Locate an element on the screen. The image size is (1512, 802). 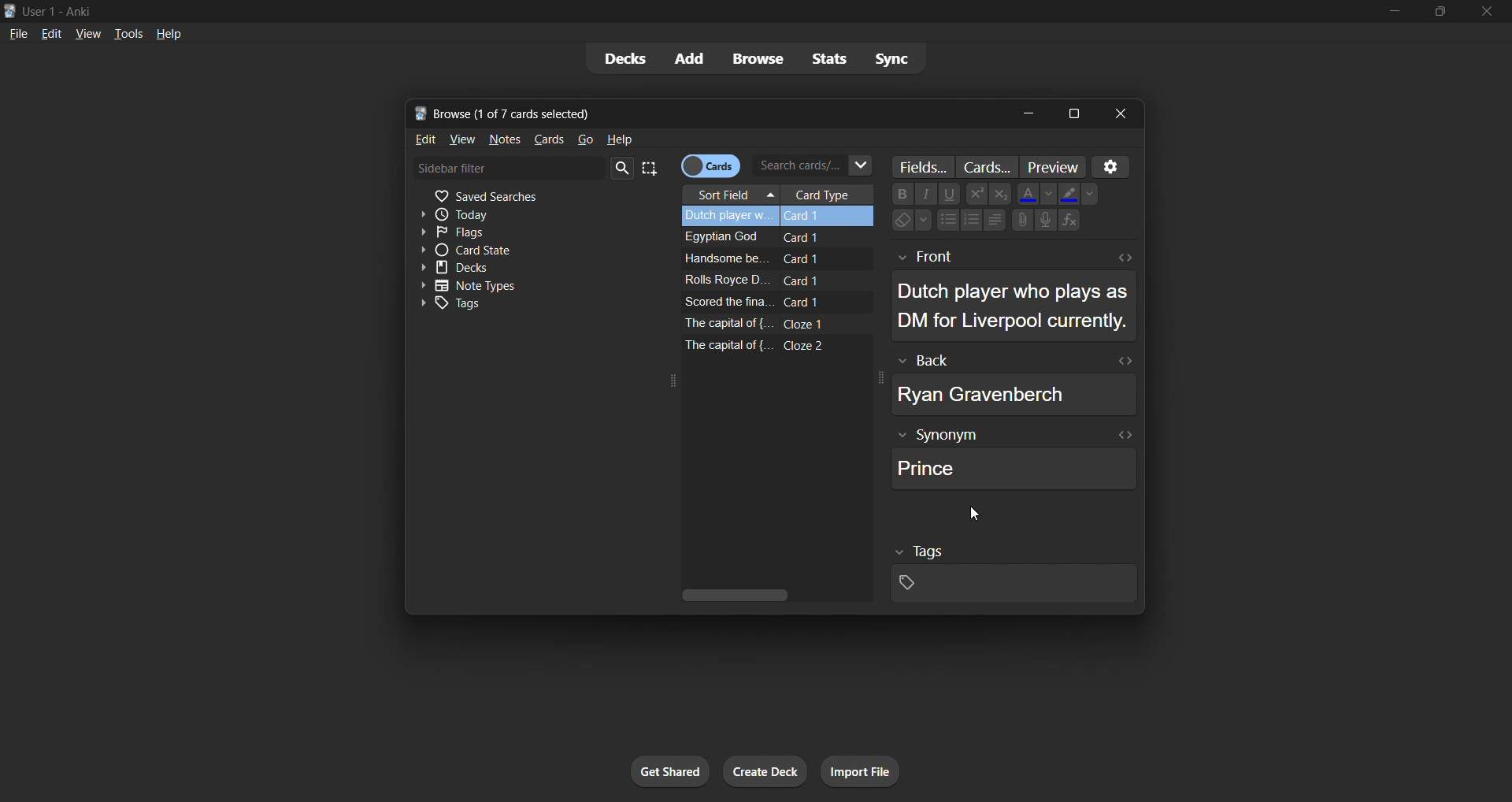
flags filter toggle is located at coordinates (520, 232).